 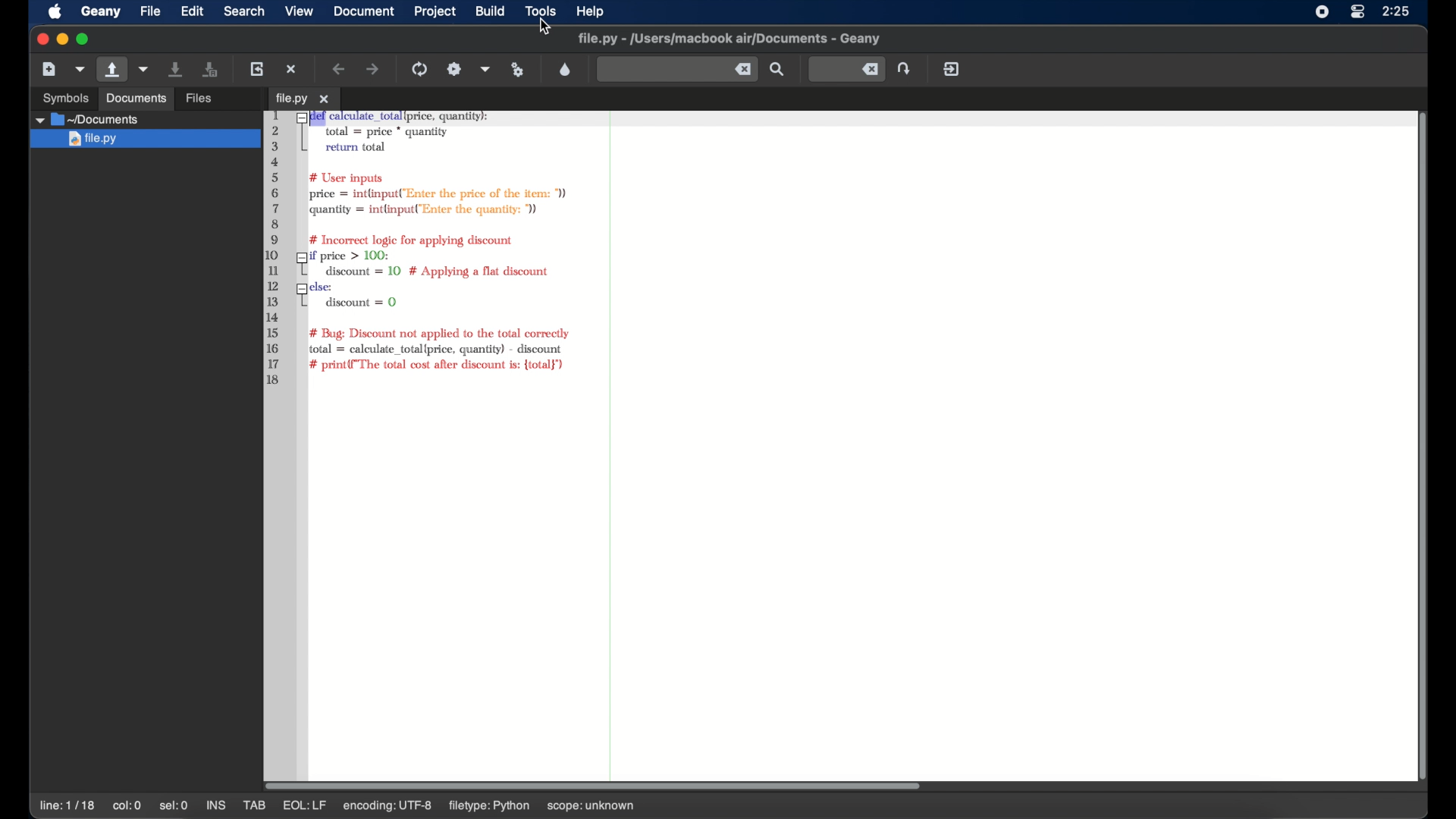 I want to click on compile the current file, so click(x=422, y=69).